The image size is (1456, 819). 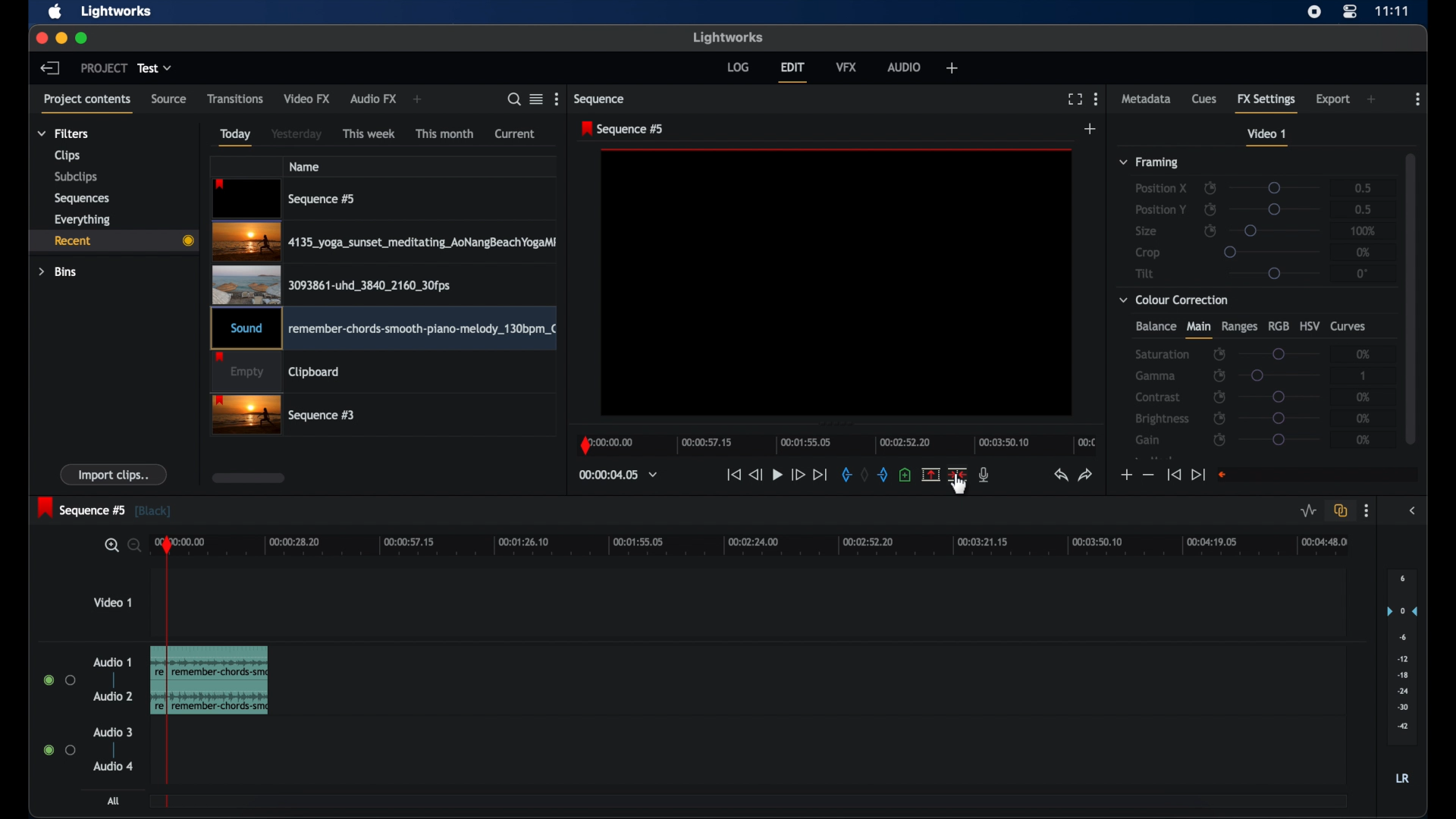 What do you see at coordinates (331, 284) in the screenshot?
I see `video clip` at bounding box center [331, 284].